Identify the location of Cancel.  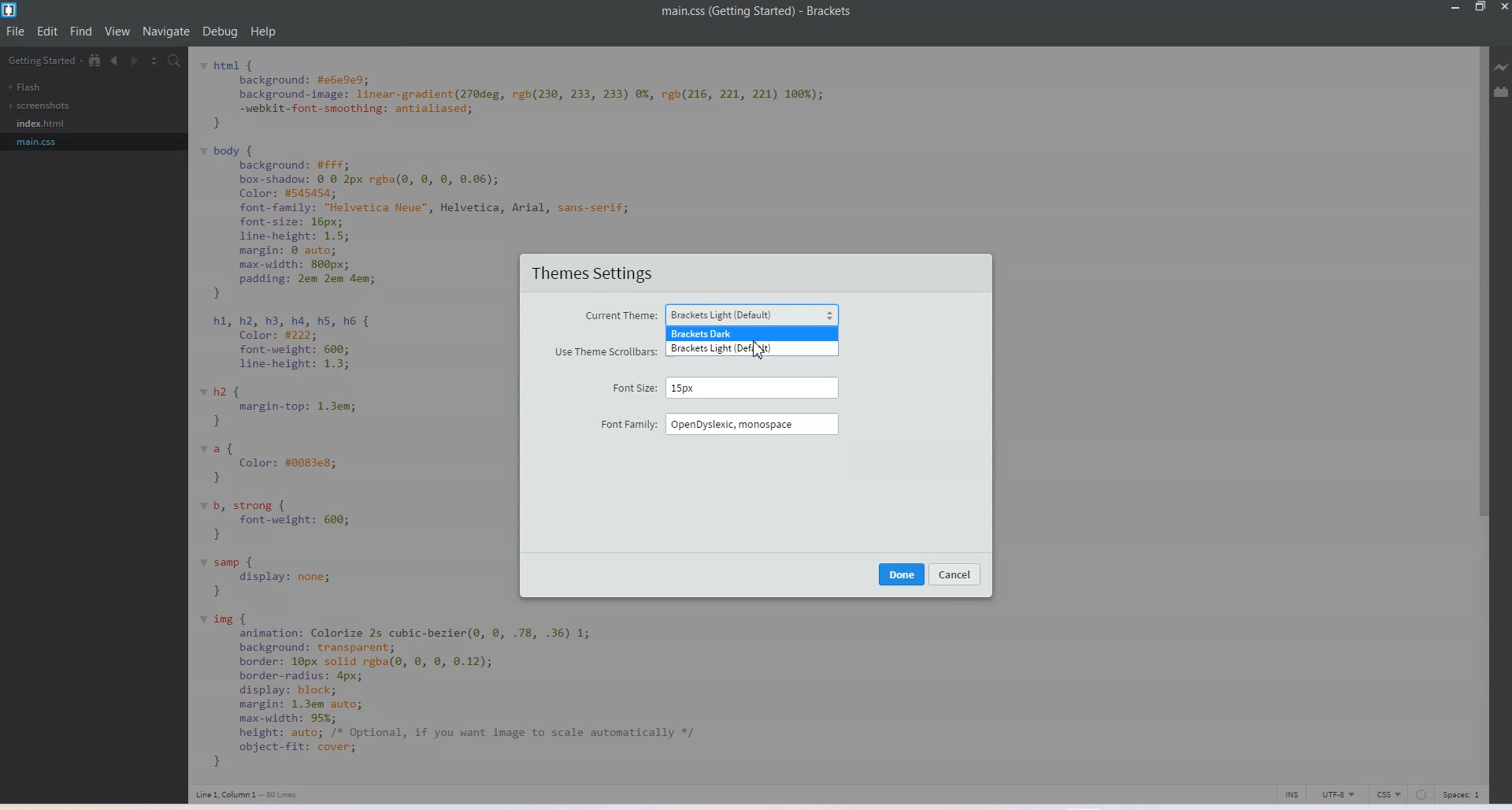
(957, 574).